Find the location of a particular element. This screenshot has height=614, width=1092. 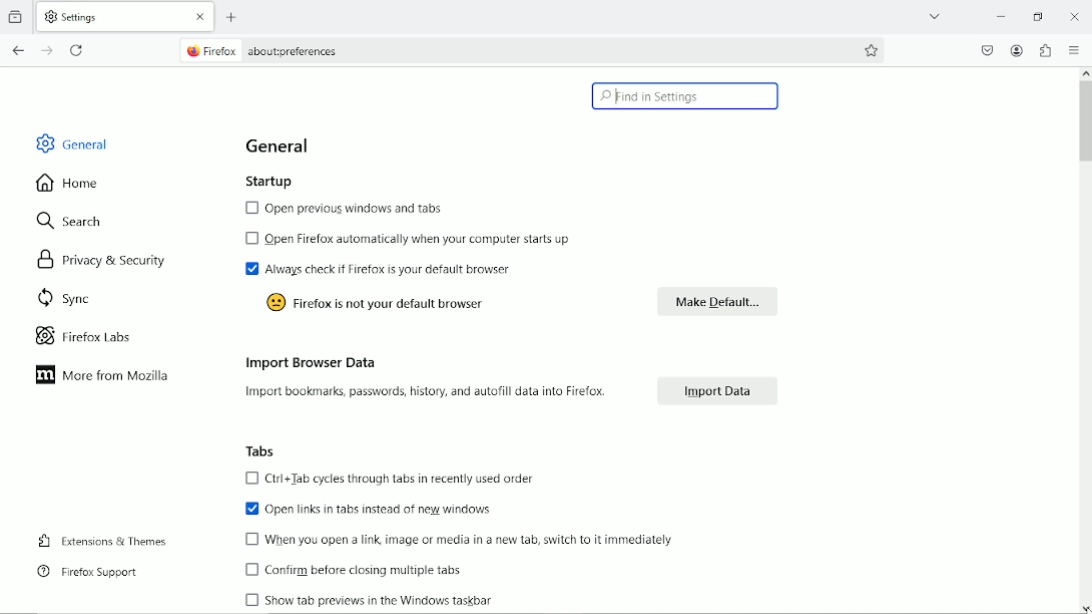

Open links in tabs instead of new windows is located at coordinates (369, 508).